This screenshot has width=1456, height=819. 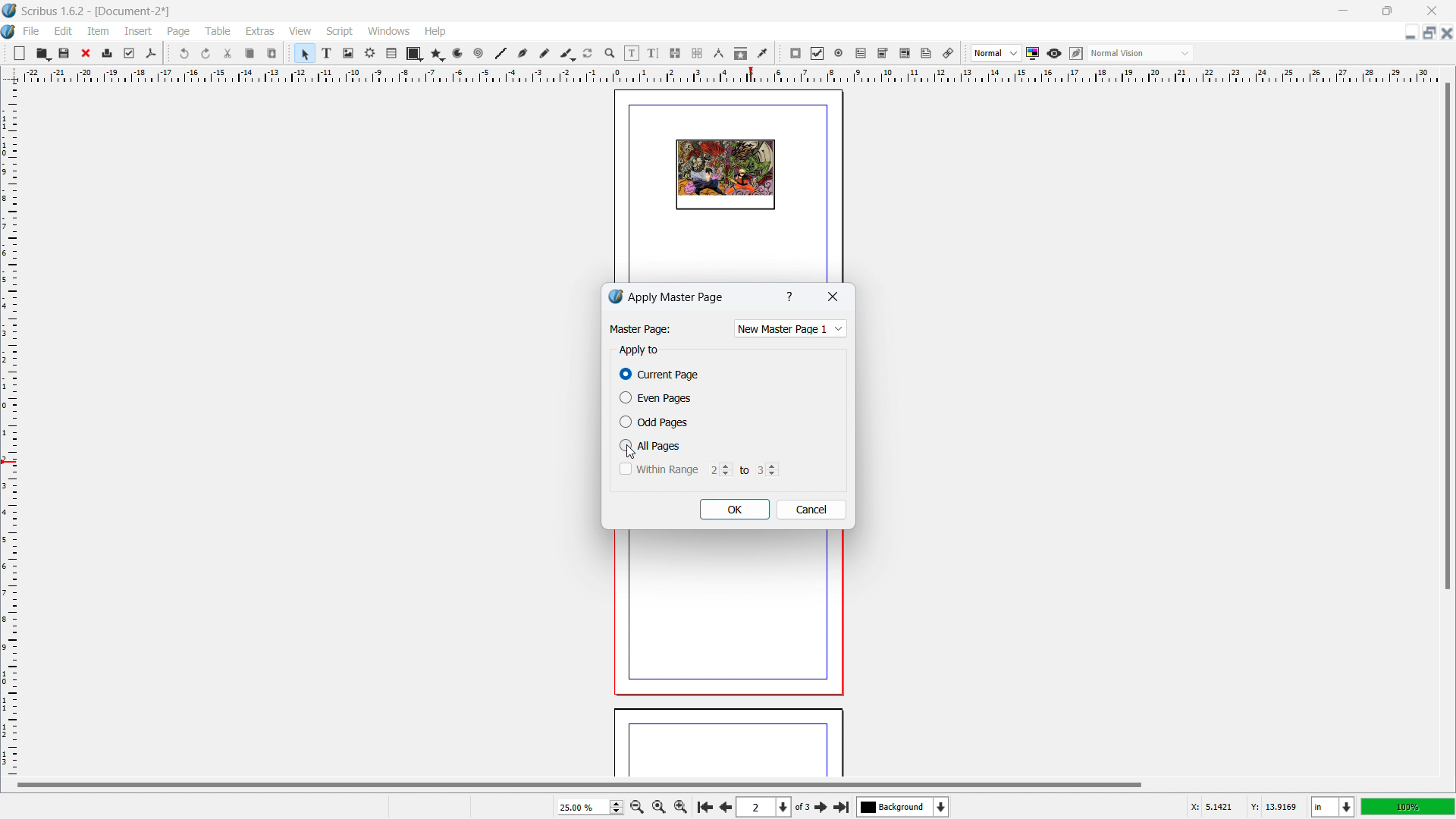 What do you see at coordinates (764, 52) in the screenshot?
I see `eye dropper` at bounding box center [764, 52].